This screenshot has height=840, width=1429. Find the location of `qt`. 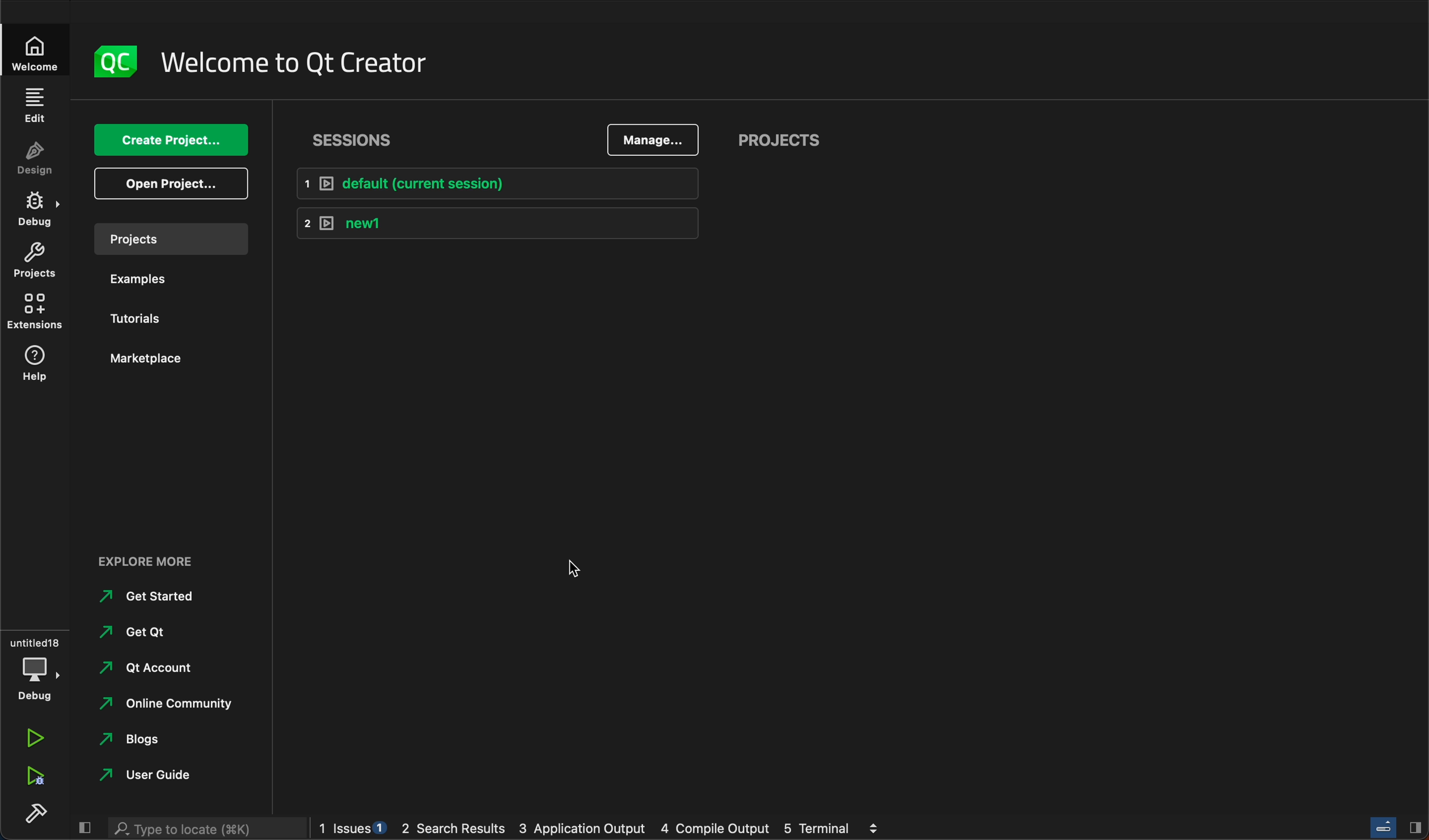

qt is located at coordinates (158, 633).